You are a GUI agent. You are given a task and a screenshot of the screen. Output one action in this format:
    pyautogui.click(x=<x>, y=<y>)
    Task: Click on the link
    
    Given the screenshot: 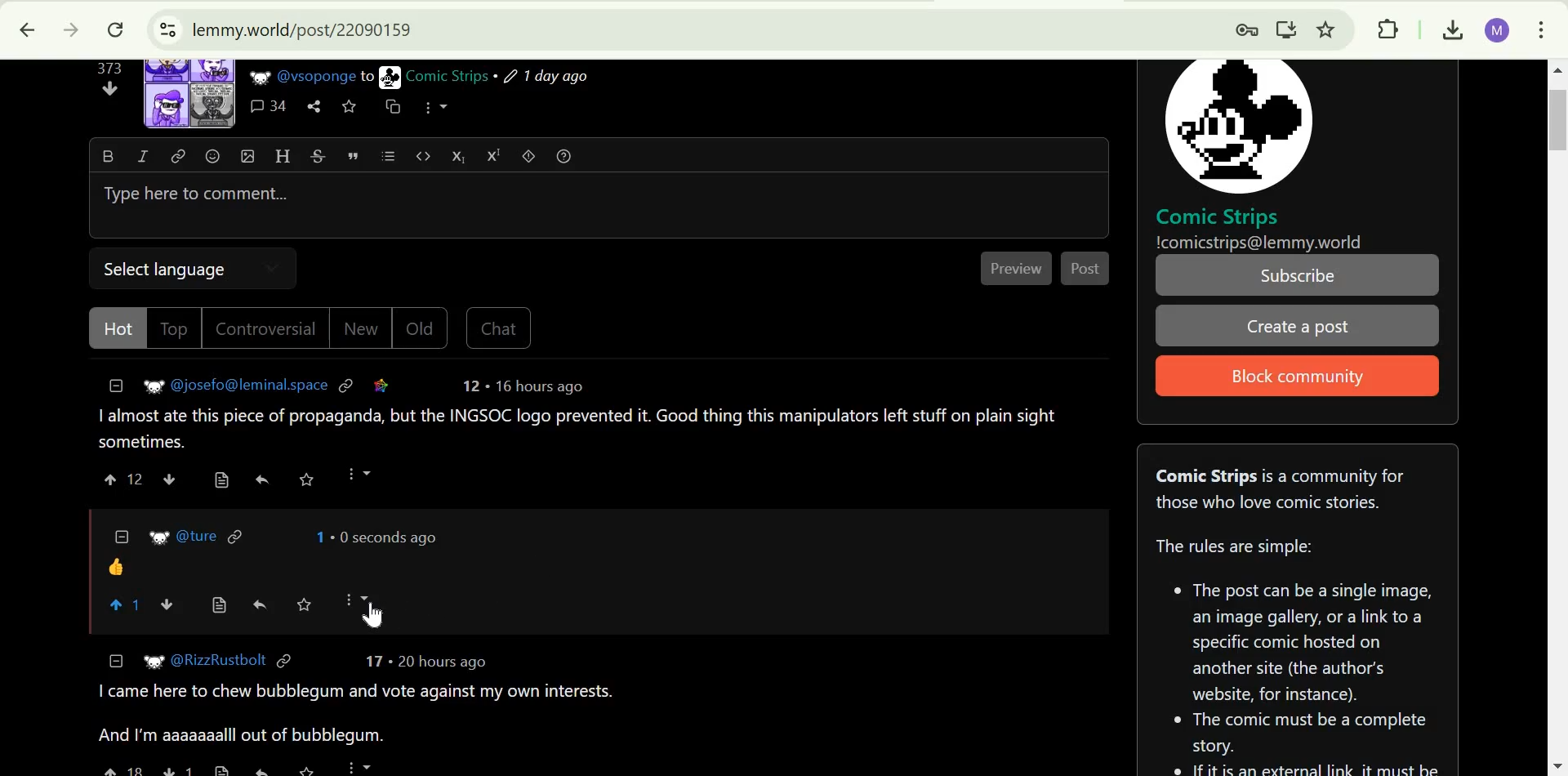 What is the action you would take?
    pyautogui.click(x=347, y=384)
    